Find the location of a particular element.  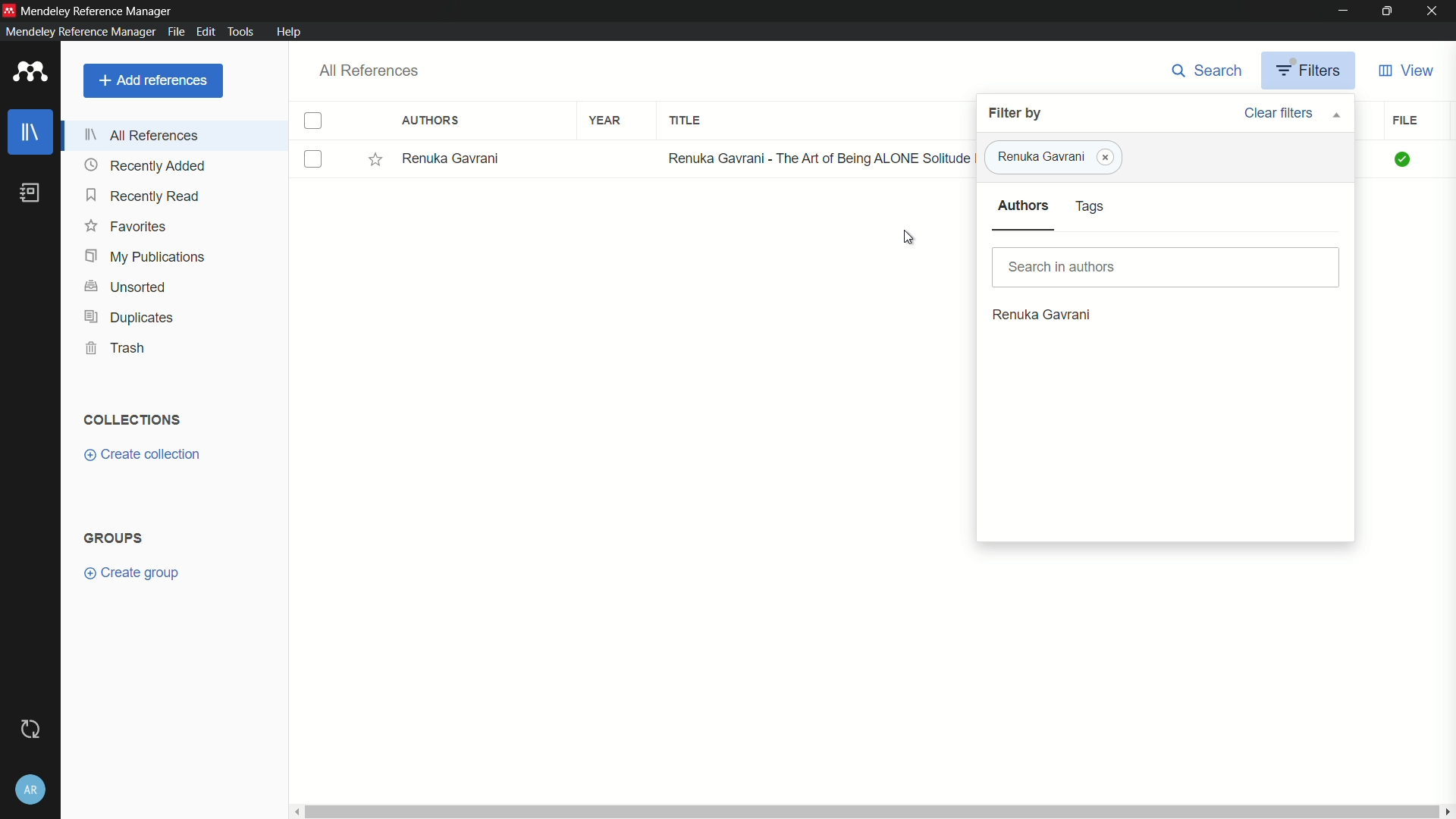

my publications is located at coordinates (146, 257).